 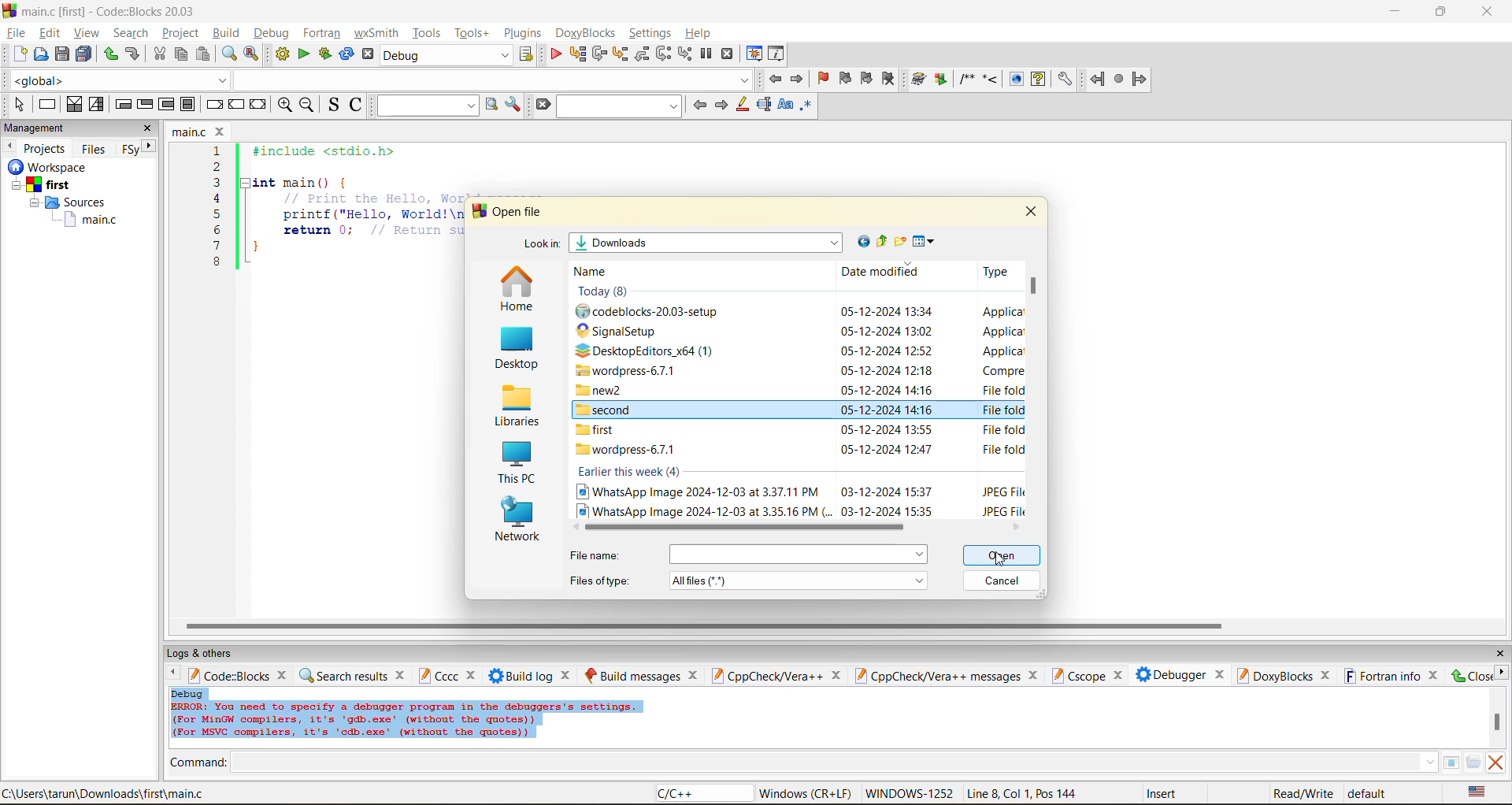 I want to click on toggle comments, so click(x=358, y=104).